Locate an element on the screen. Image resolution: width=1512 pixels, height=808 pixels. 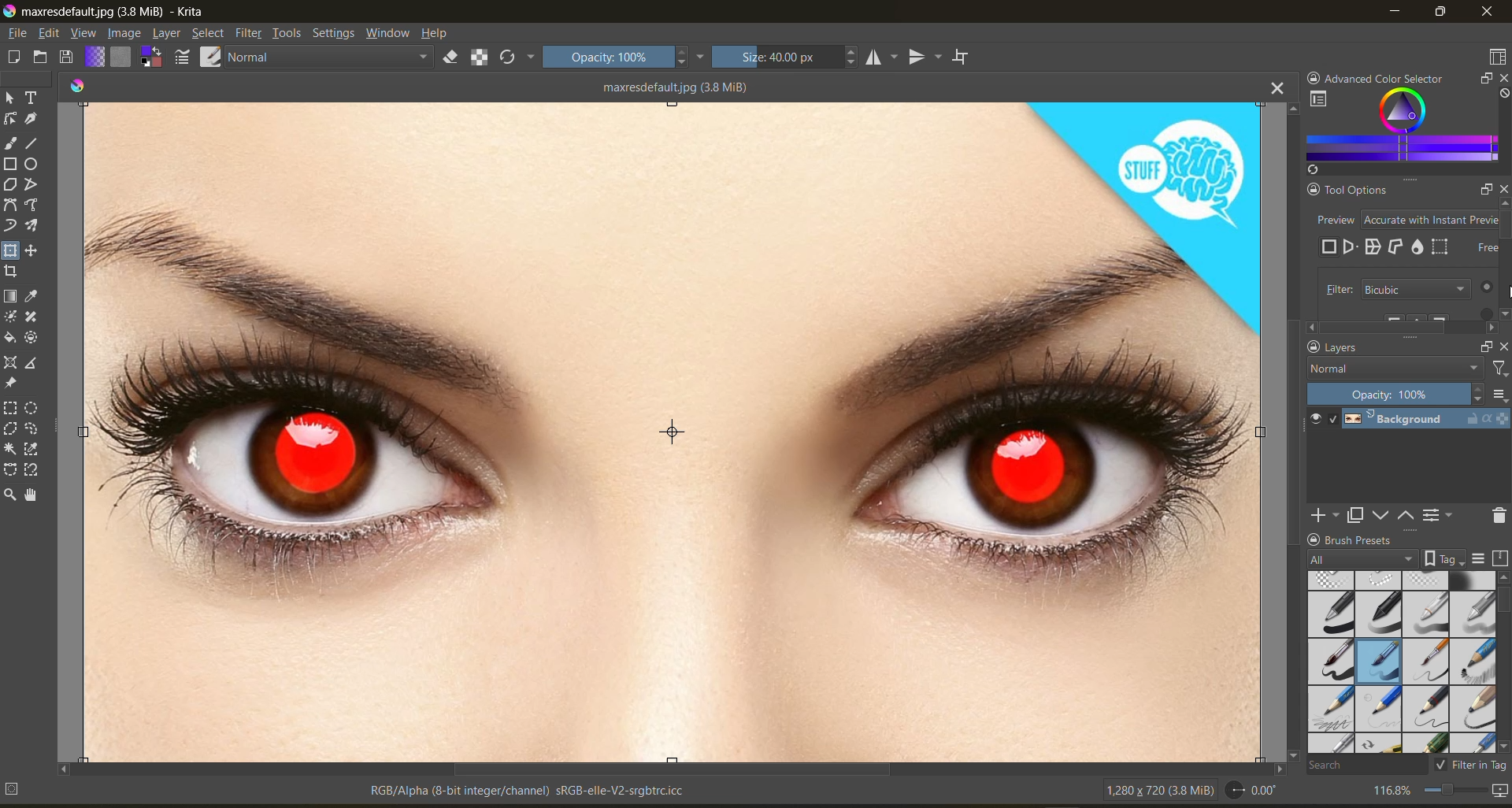
view is located at coordinates (86, 35).